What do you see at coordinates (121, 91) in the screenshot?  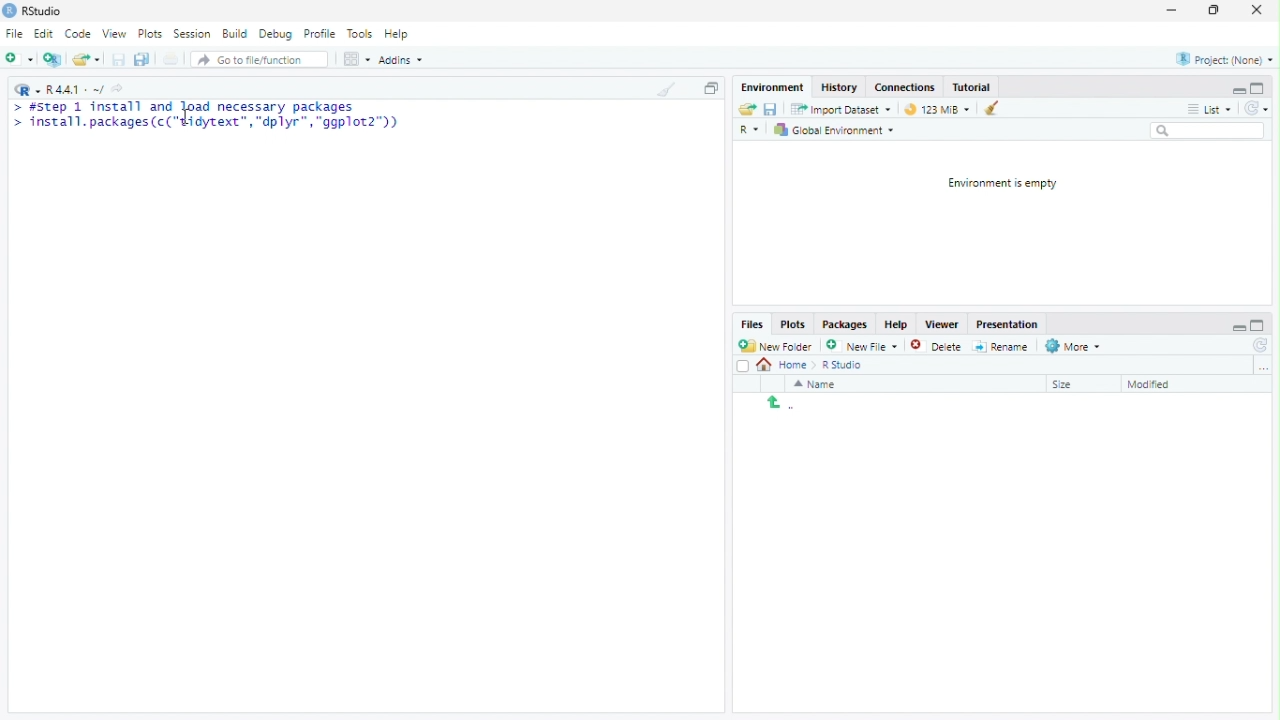 I see `Go` at bounding box center [121, 91].